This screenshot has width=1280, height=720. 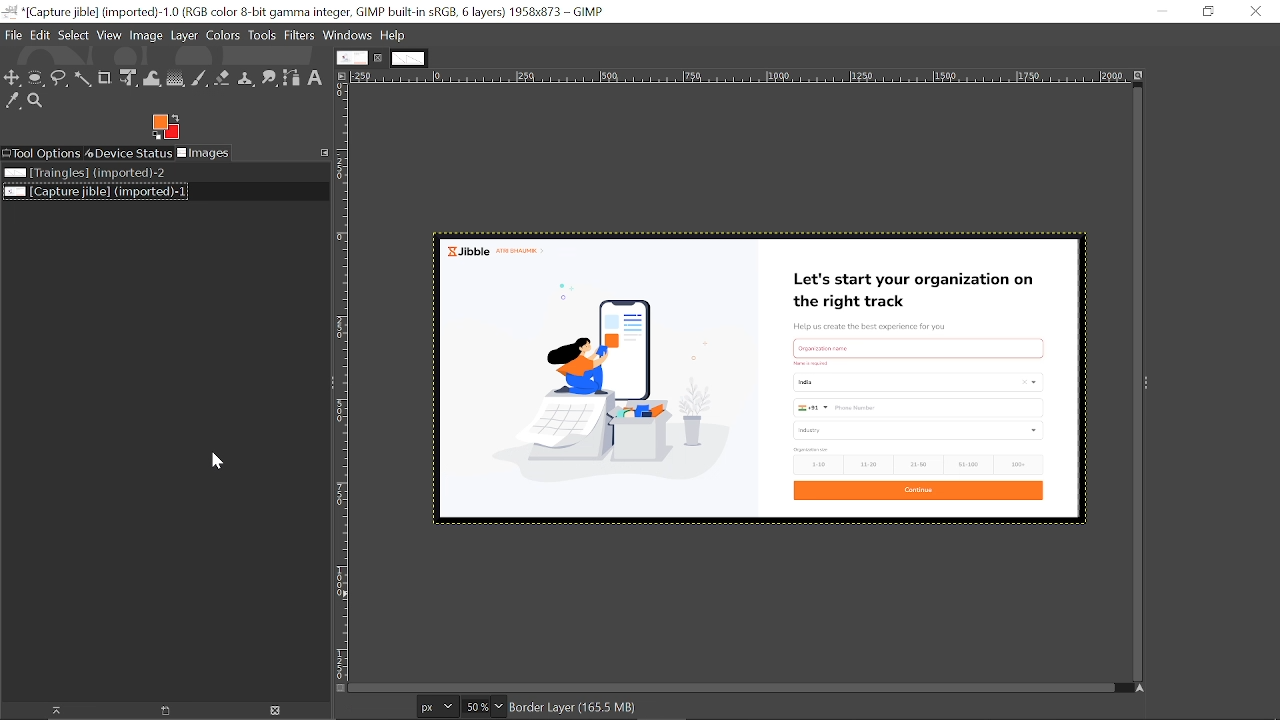 What do you see at coordinates (310, 12) in the screenshot?
I see `Current window` at bounding box center [310, 12].